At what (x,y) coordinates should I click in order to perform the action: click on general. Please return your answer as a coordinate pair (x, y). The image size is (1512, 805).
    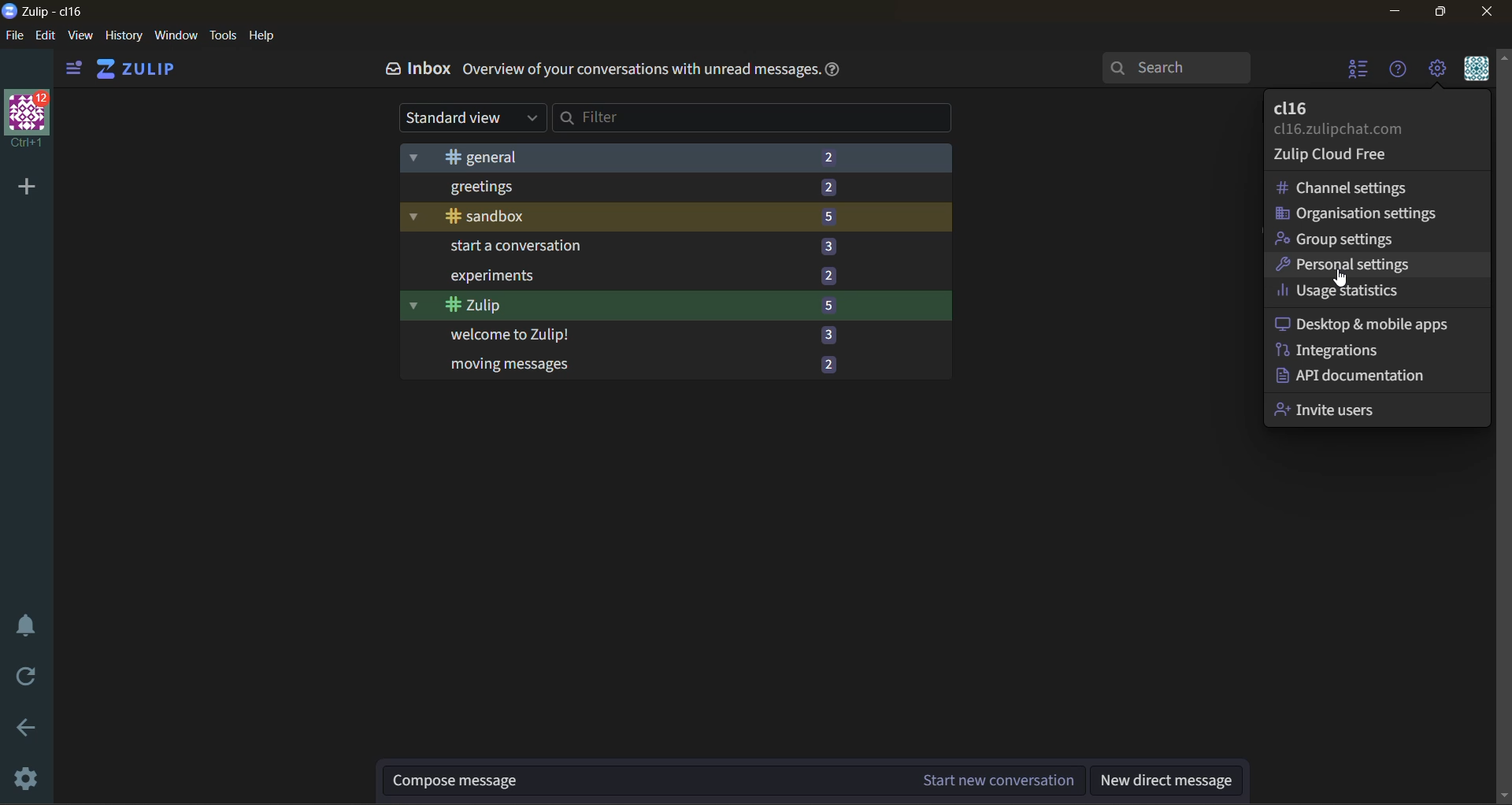
    Looking at the image, I should click on (632, 157).